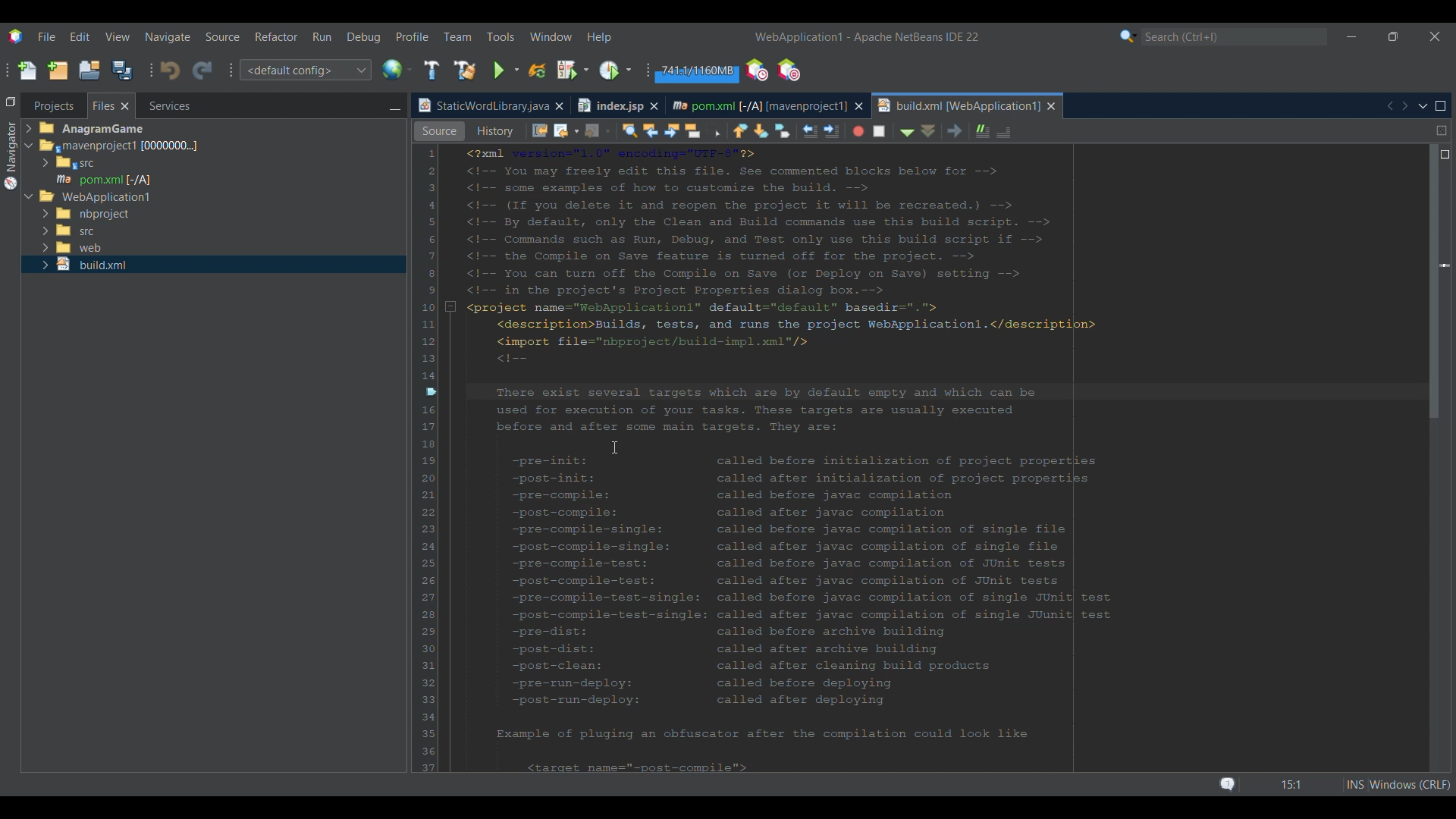  Describe the element at coordinates (867, 37) in the screenshot. I see `Project name added` at that location.